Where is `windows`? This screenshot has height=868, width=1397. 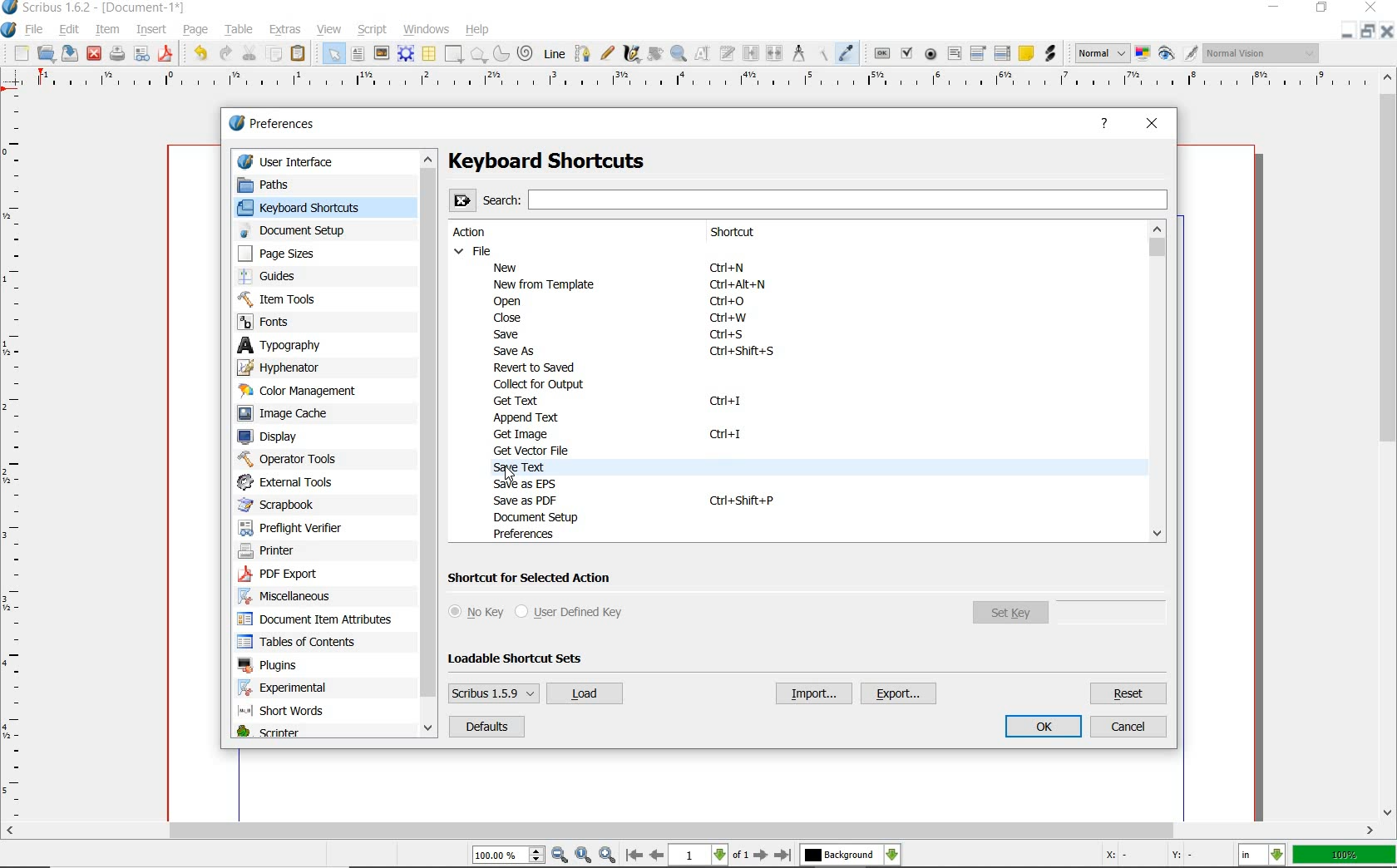 windows is located at coordinates (427, 30).